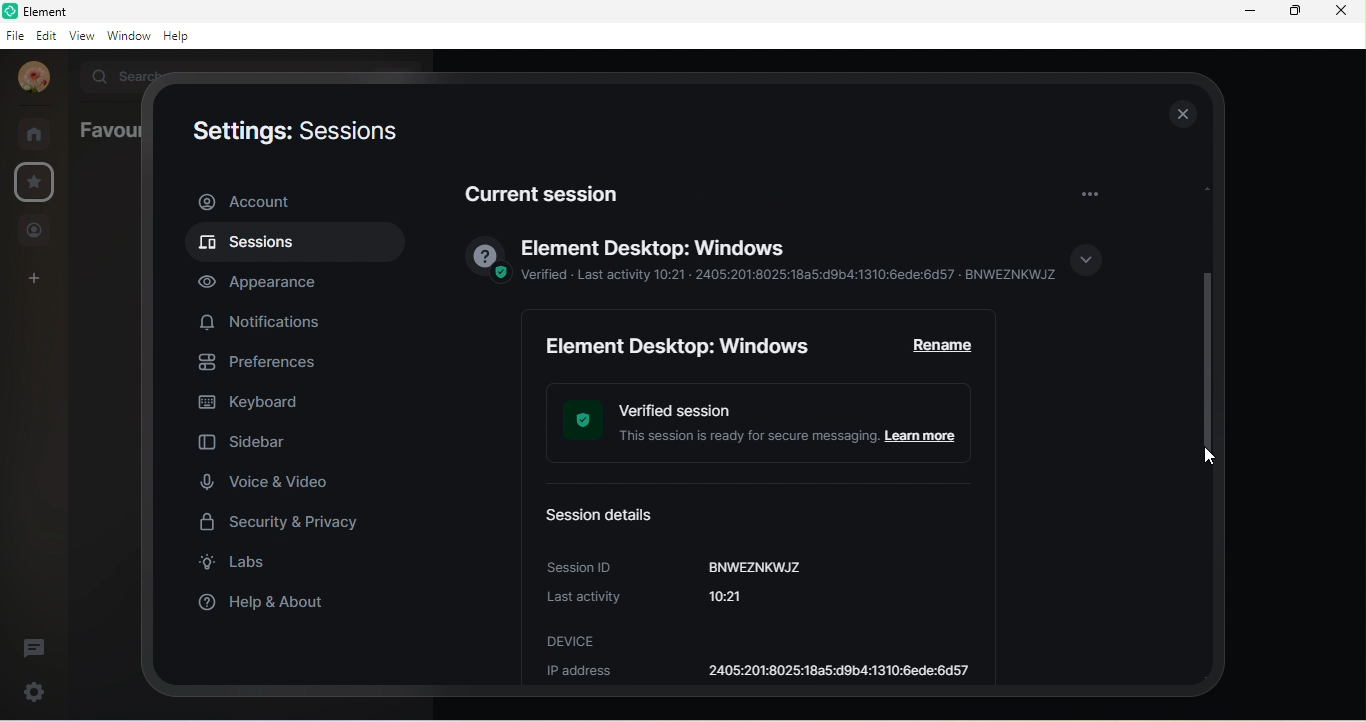  I want to click on preferences, so click(267, 364).